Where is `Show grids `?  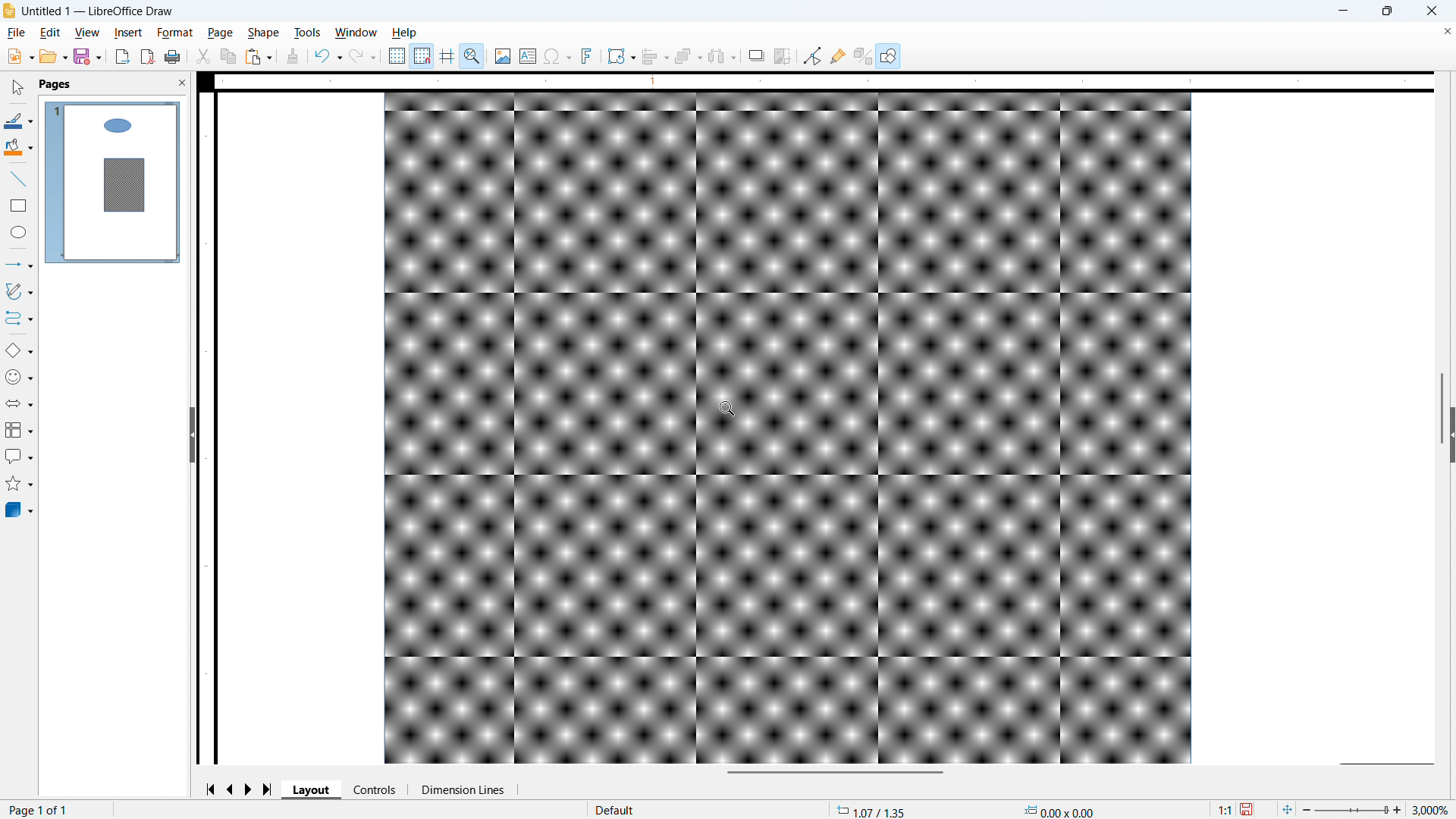
Show grids  is located at coordinates (397, 55).